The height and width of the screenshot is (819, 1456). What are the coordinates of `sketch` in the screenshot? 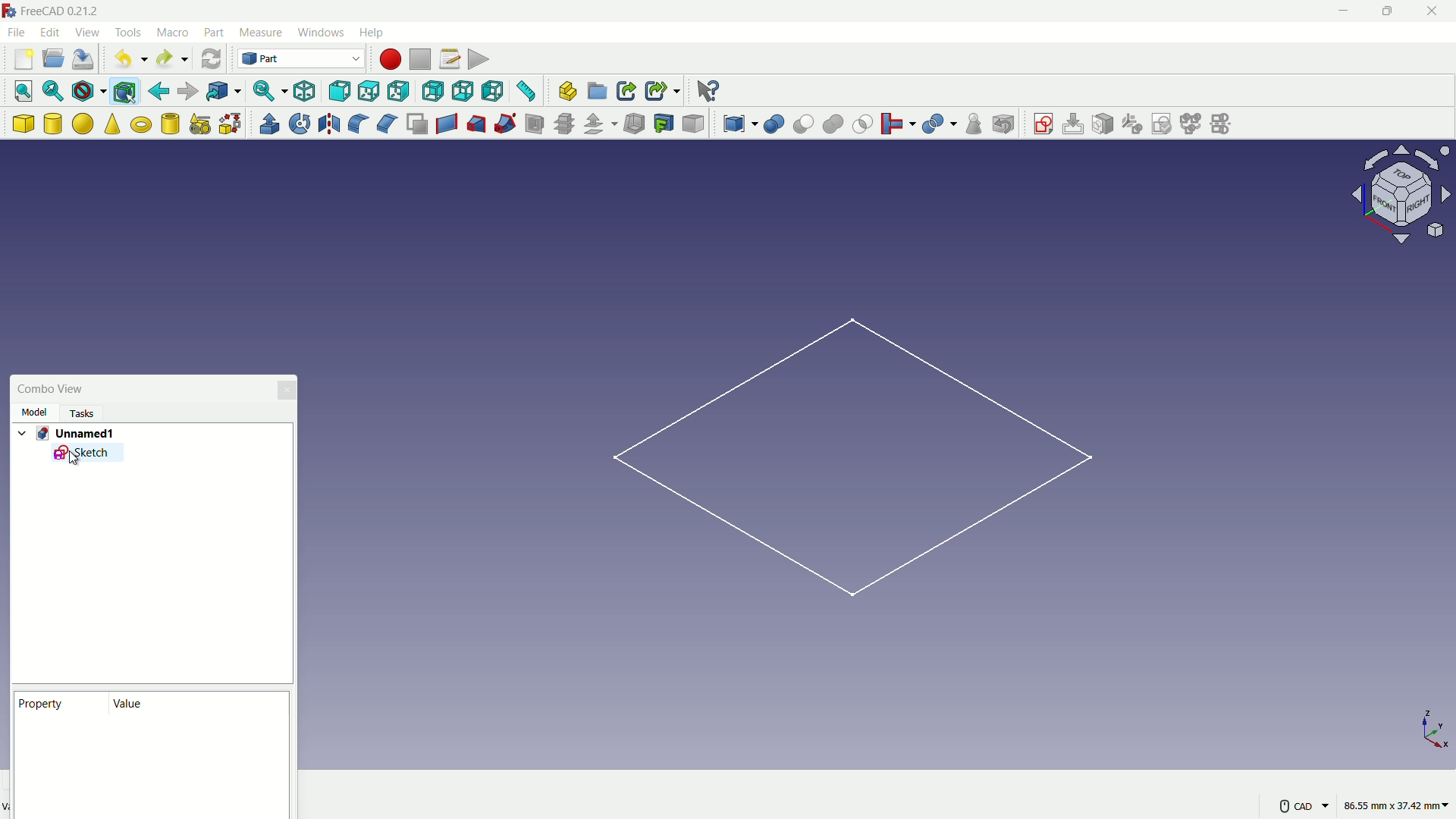 It's located at (850, 467).